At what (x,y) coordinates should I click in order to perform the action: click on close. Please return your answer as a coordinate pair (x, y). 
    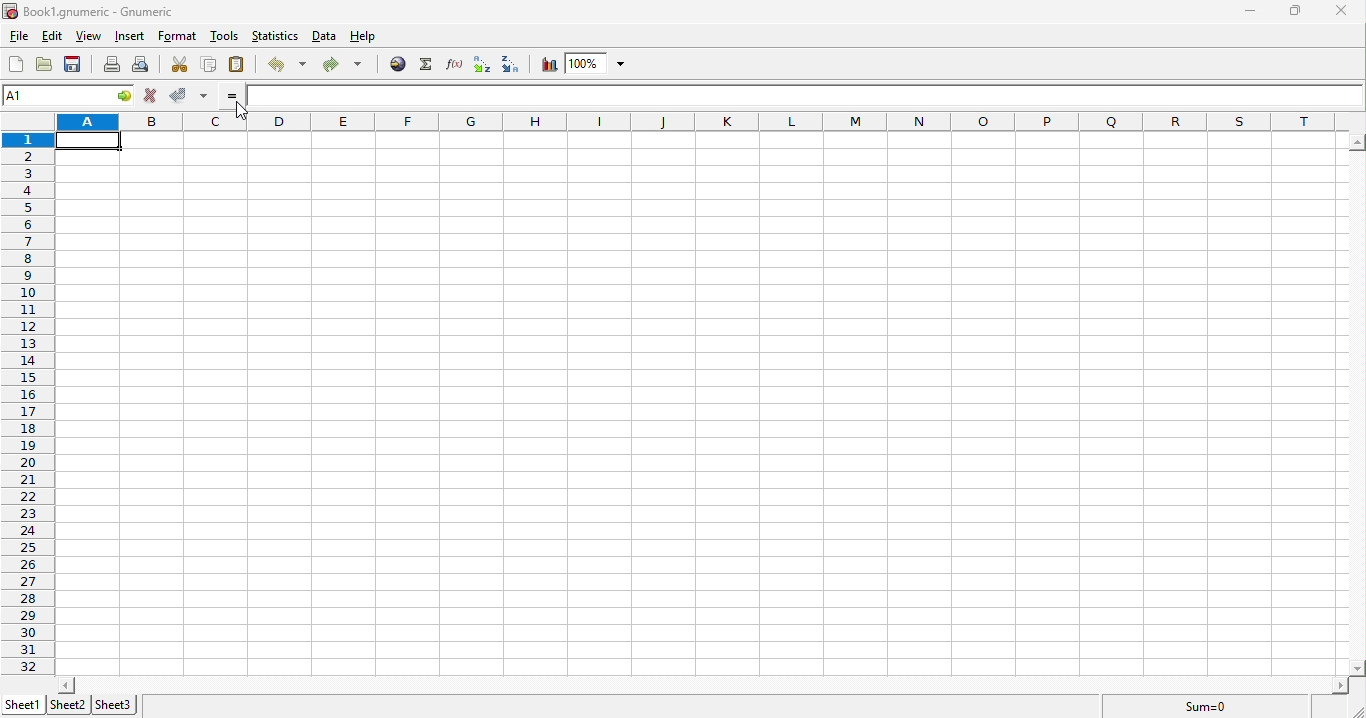
    Looking at the image, I should click on (1339, 9).